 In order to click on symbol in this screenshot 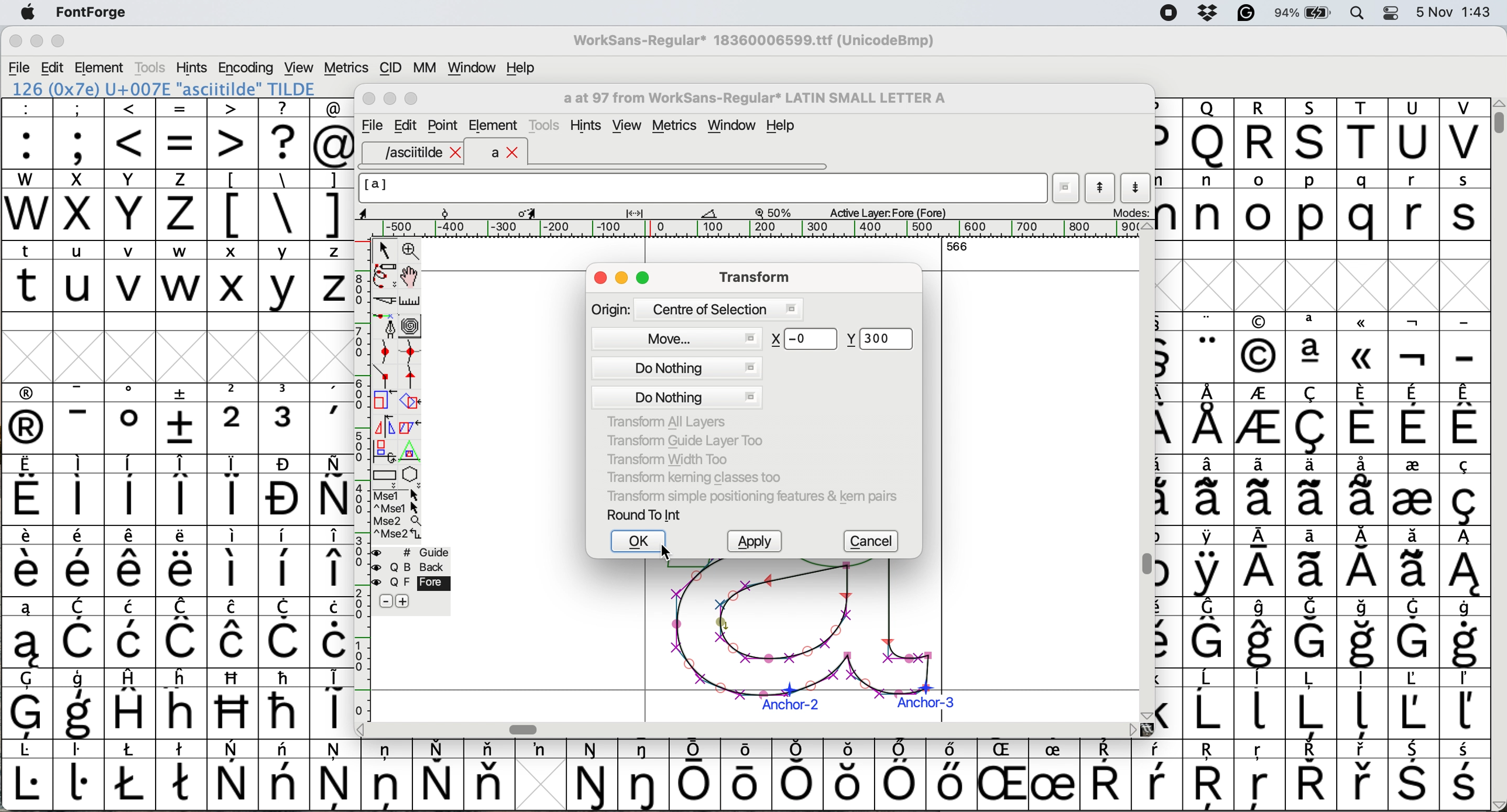, I will do `click(183, 632)`.